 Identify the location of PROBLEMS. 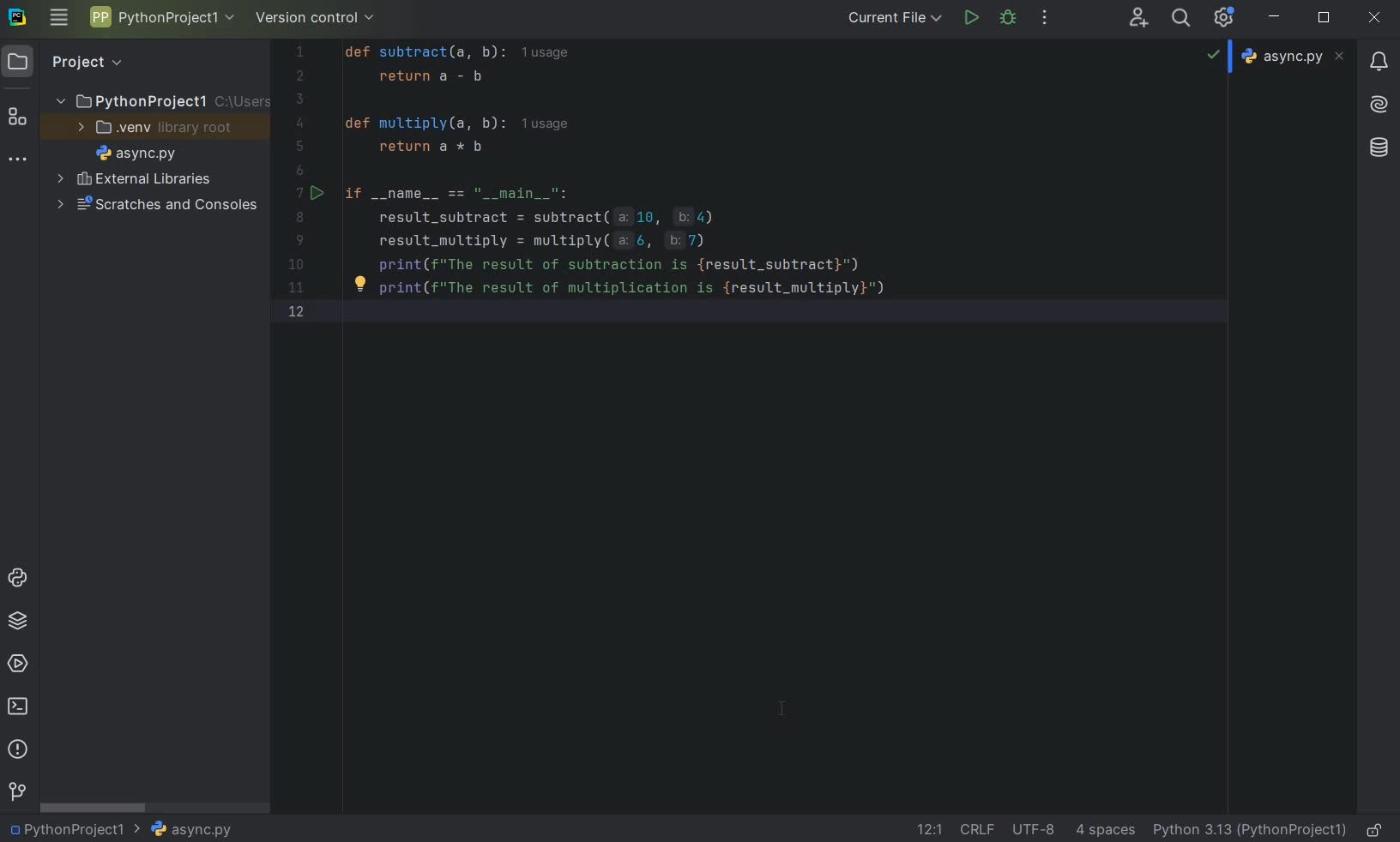
(20, 751).